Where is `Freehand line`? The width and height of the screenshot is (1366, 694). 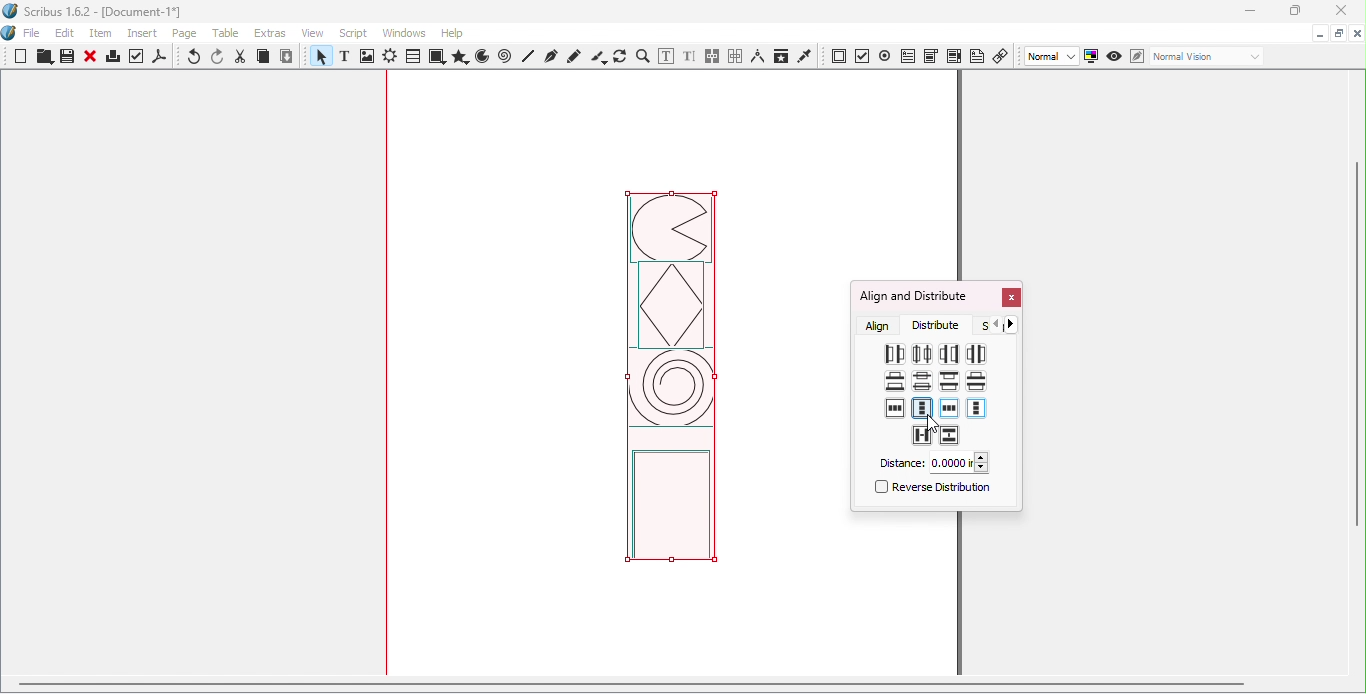
Freehand line is located at coordinates (575, 56).